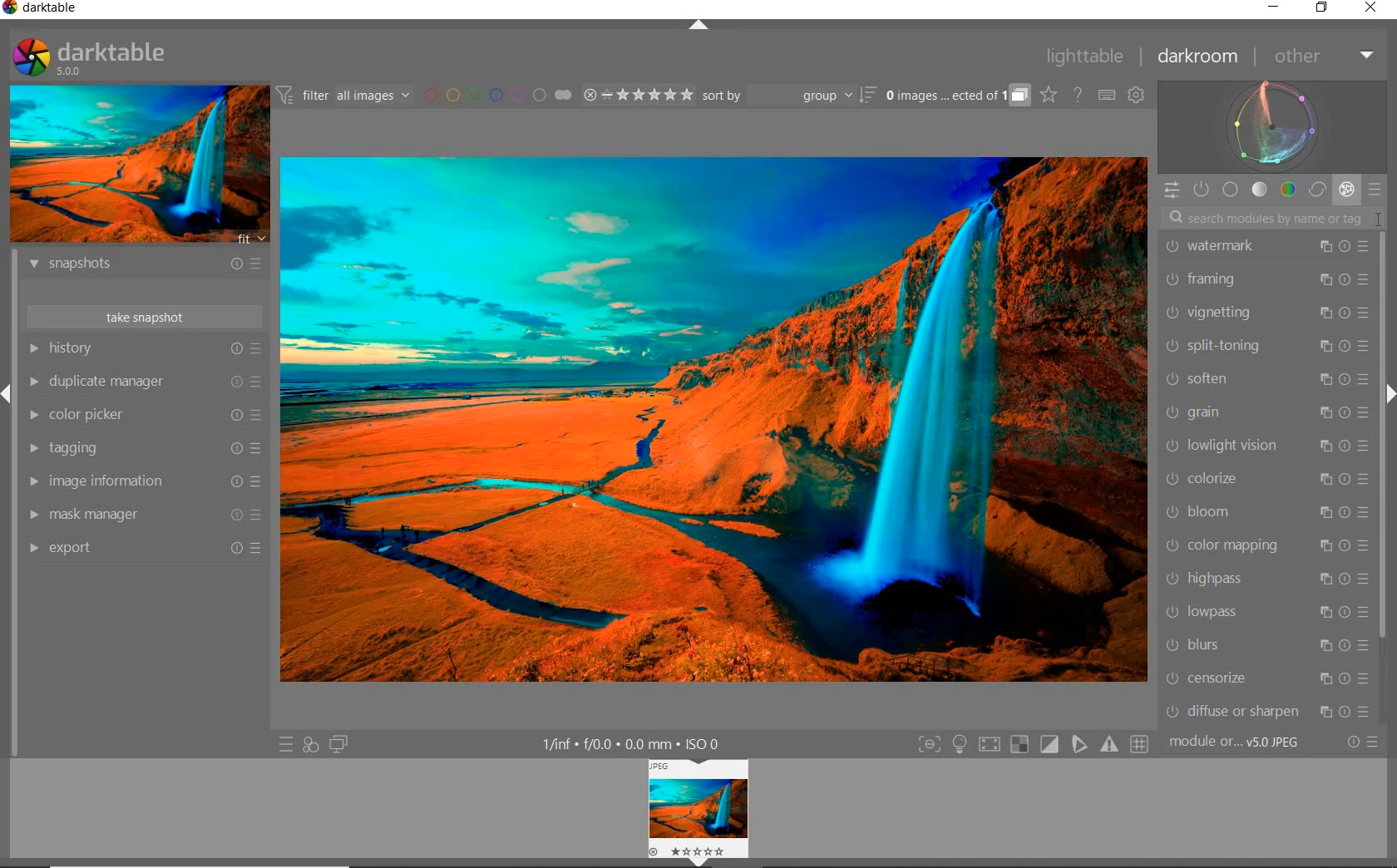 This screenshot has width=1397, height=868. What do you see at coordinates (700, 28) in the screenshot?
I see `EXPAND/COLLAPSE` at bounding box center [700, 28].